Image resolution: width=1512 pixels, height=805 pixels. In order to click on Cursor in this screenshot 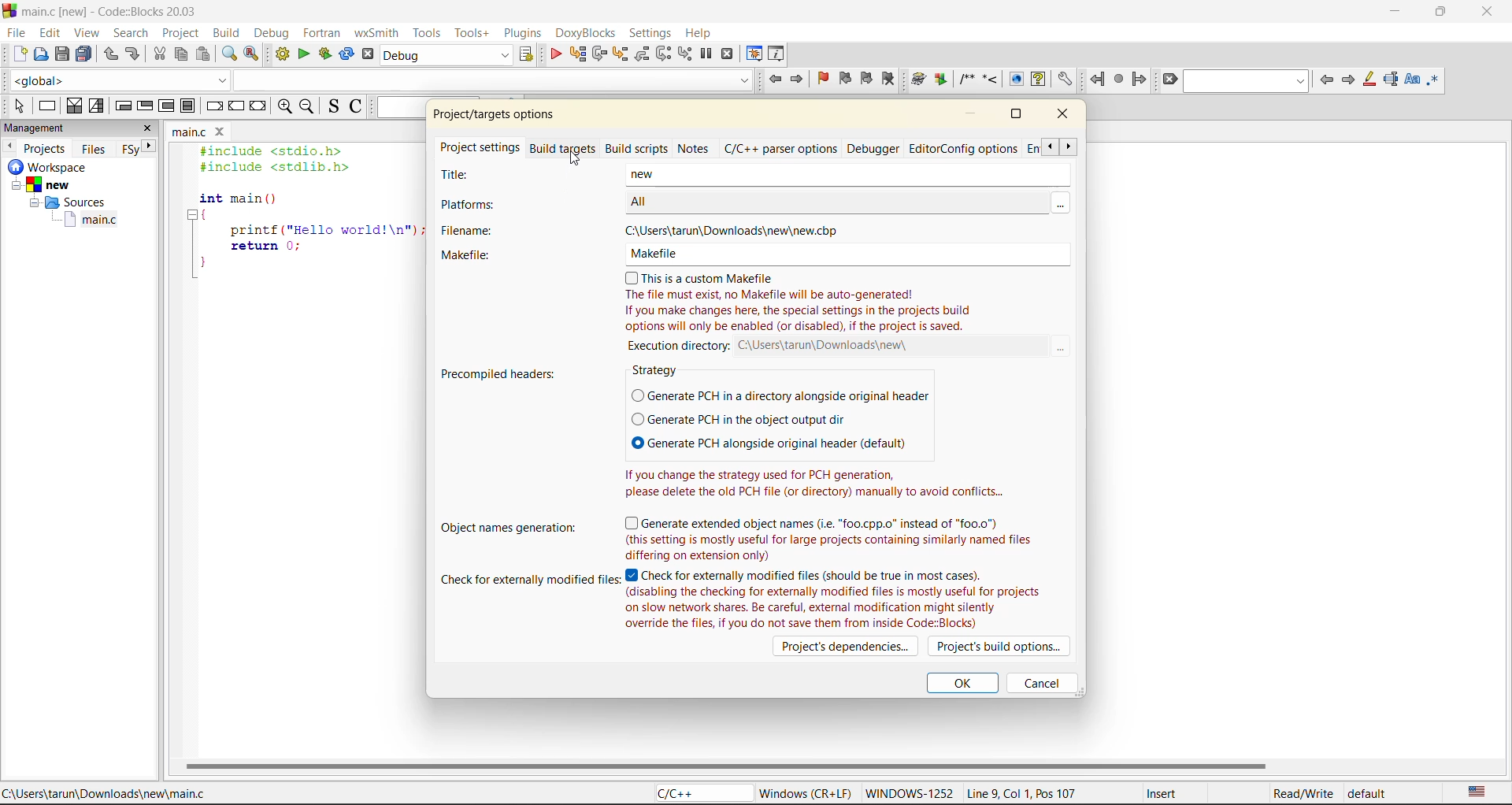, I will do `click(575, 164)`.